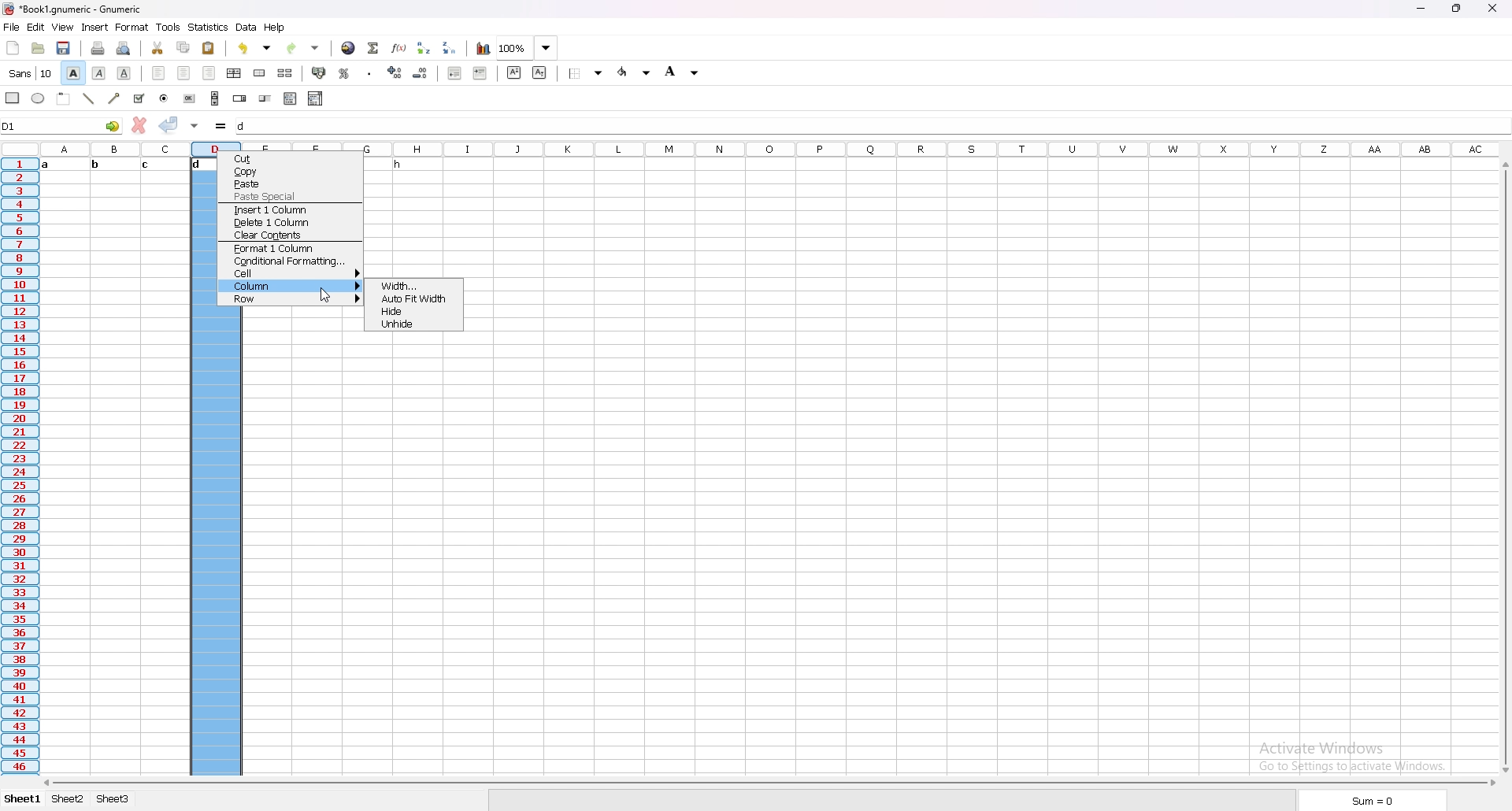 The width and height of the screenshot is (1512, 811). What do you see at coordinates (345, 73) in the screenshot?
I see `percentage` at bounding box center [345, 73].